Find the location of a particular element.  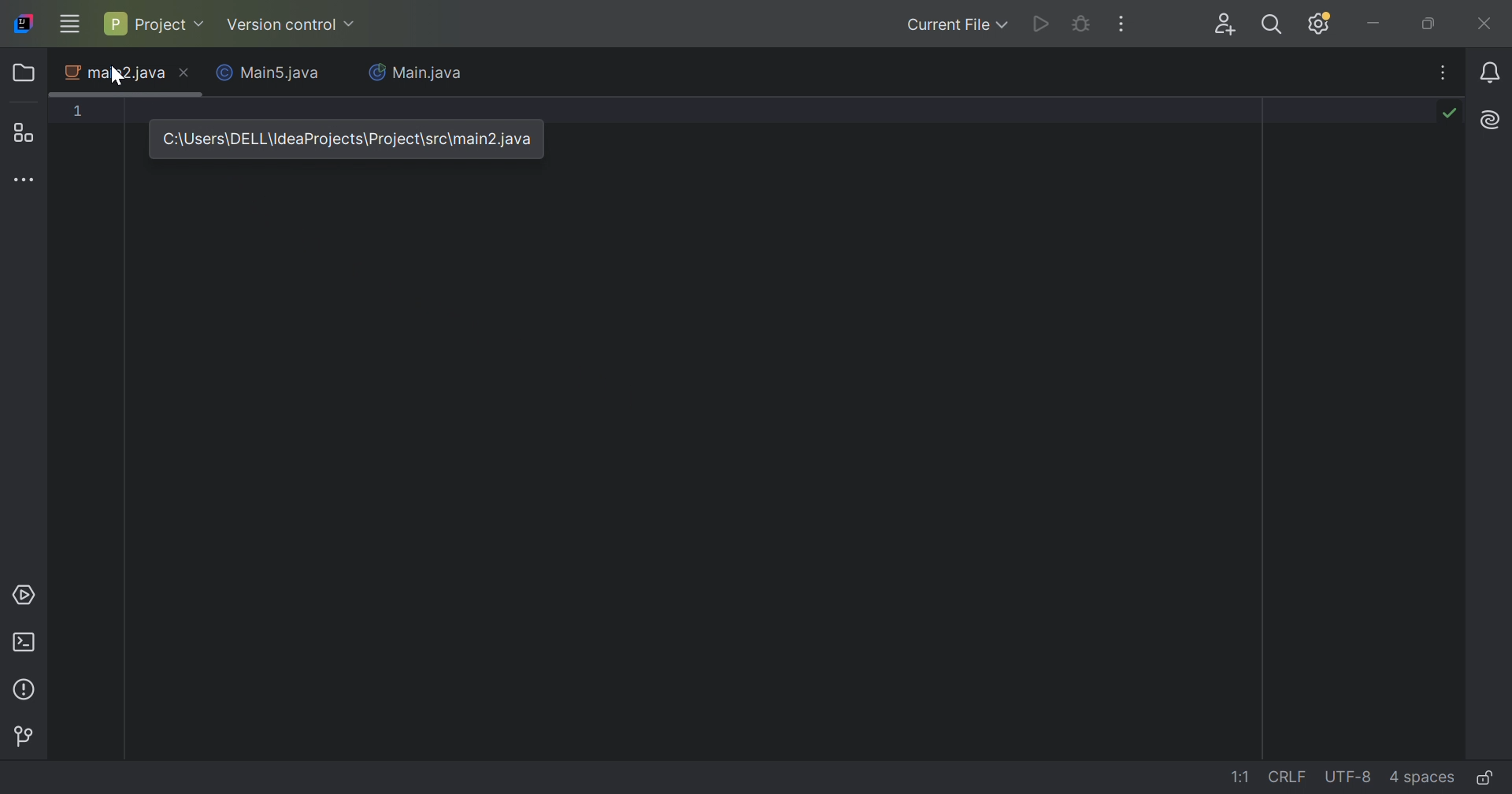

Restore down is located at coordinates (1429, 24).